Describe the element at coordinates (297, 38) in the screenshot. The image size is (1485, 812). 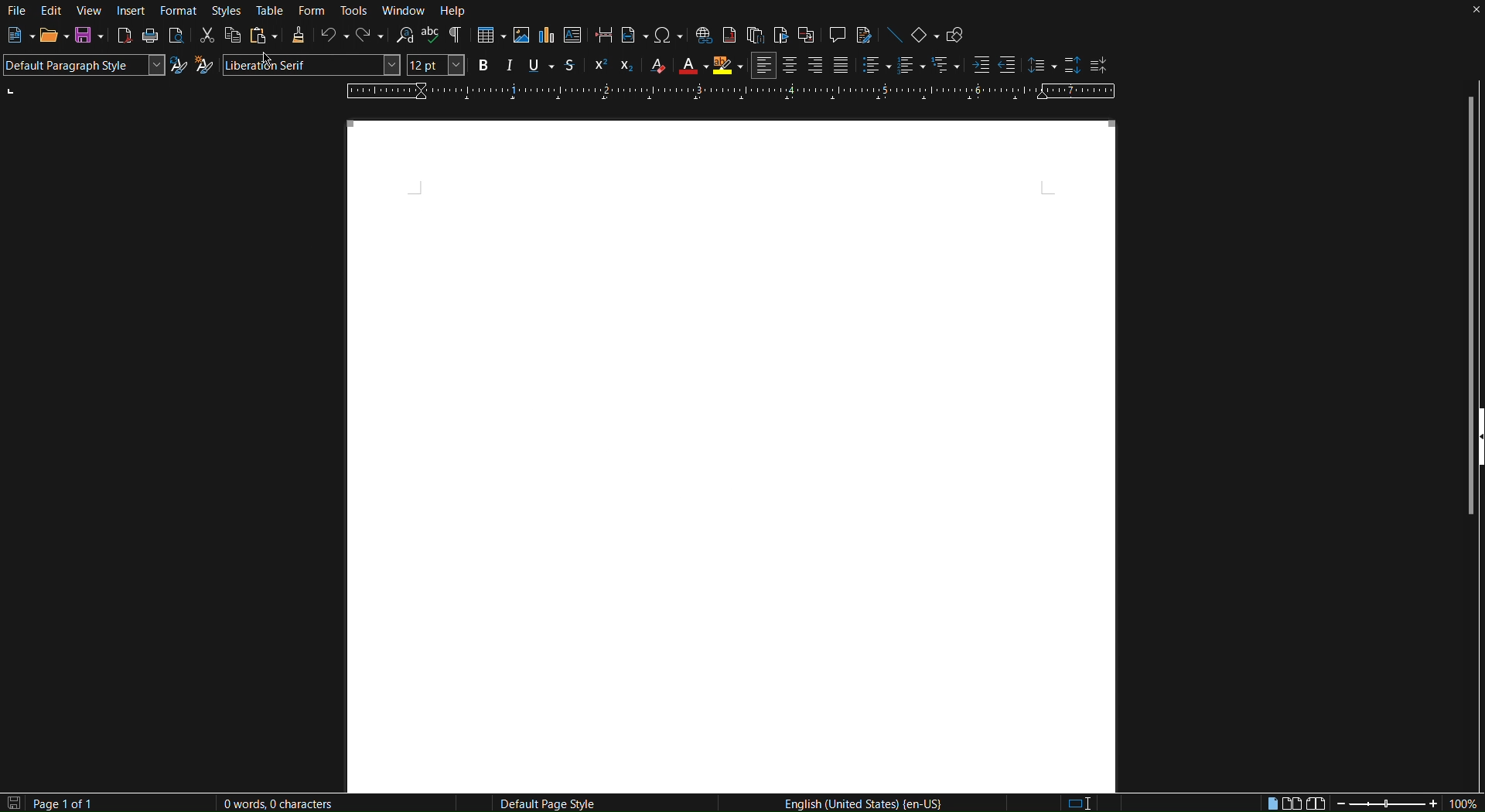
I see `Clone Formatting` at that location.